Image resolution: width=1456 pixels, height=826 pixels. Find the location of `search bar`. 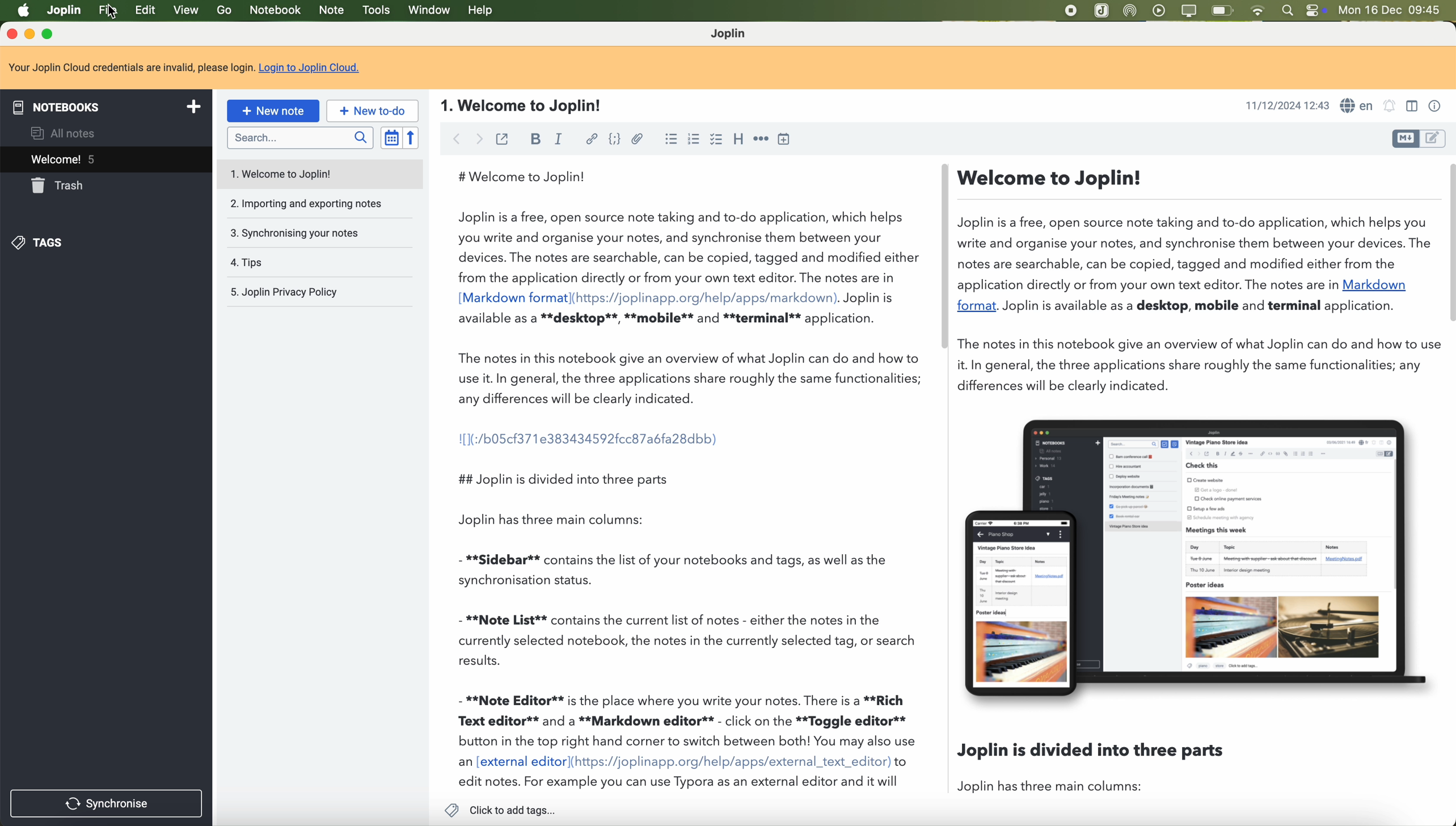

search bar is located at coordinates (299, 137).